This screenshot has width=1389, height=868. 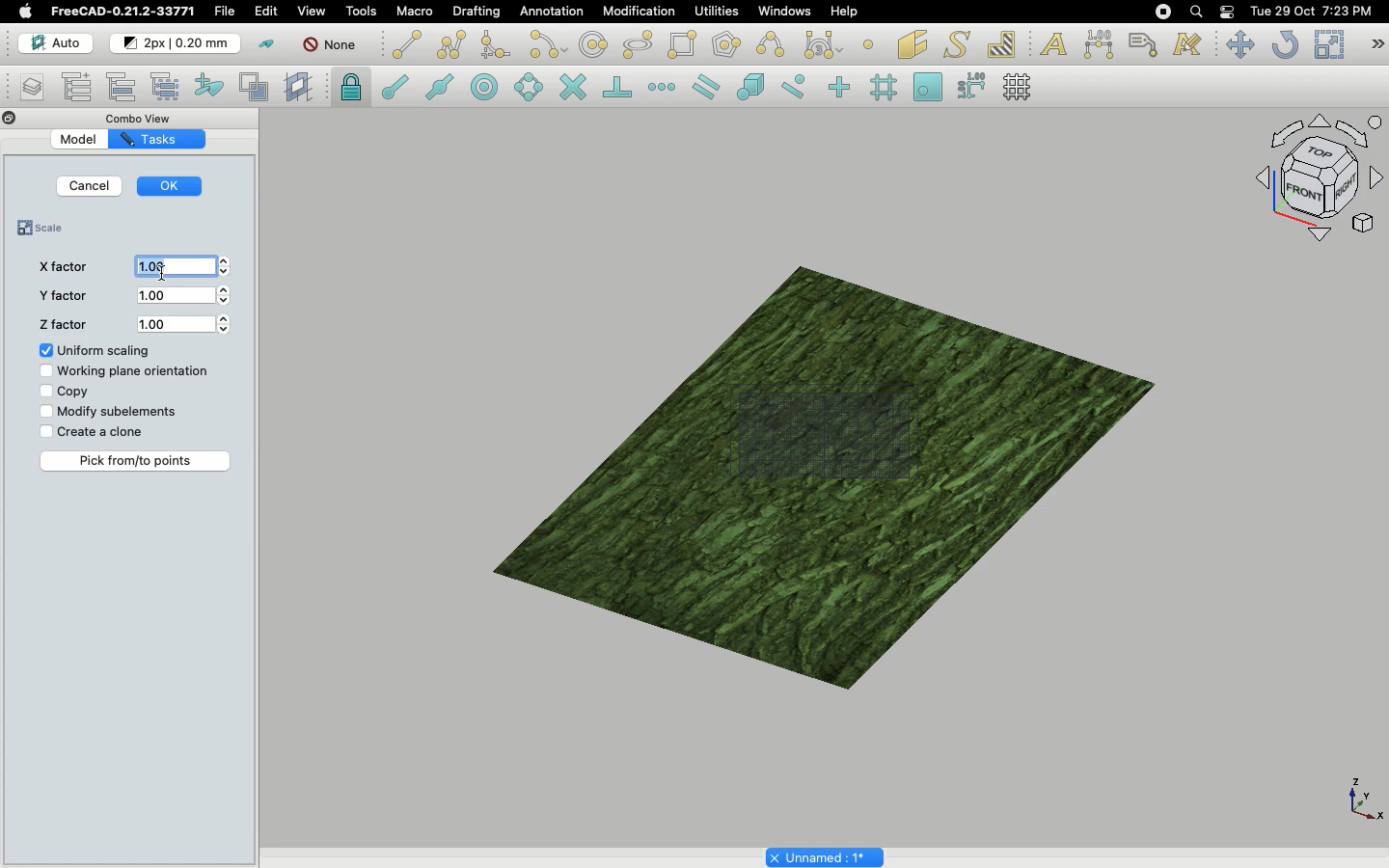 What do you see at coordinates (955, 44) in the screenshot?
I see `Shape from text` at bounding box center [955, 44].